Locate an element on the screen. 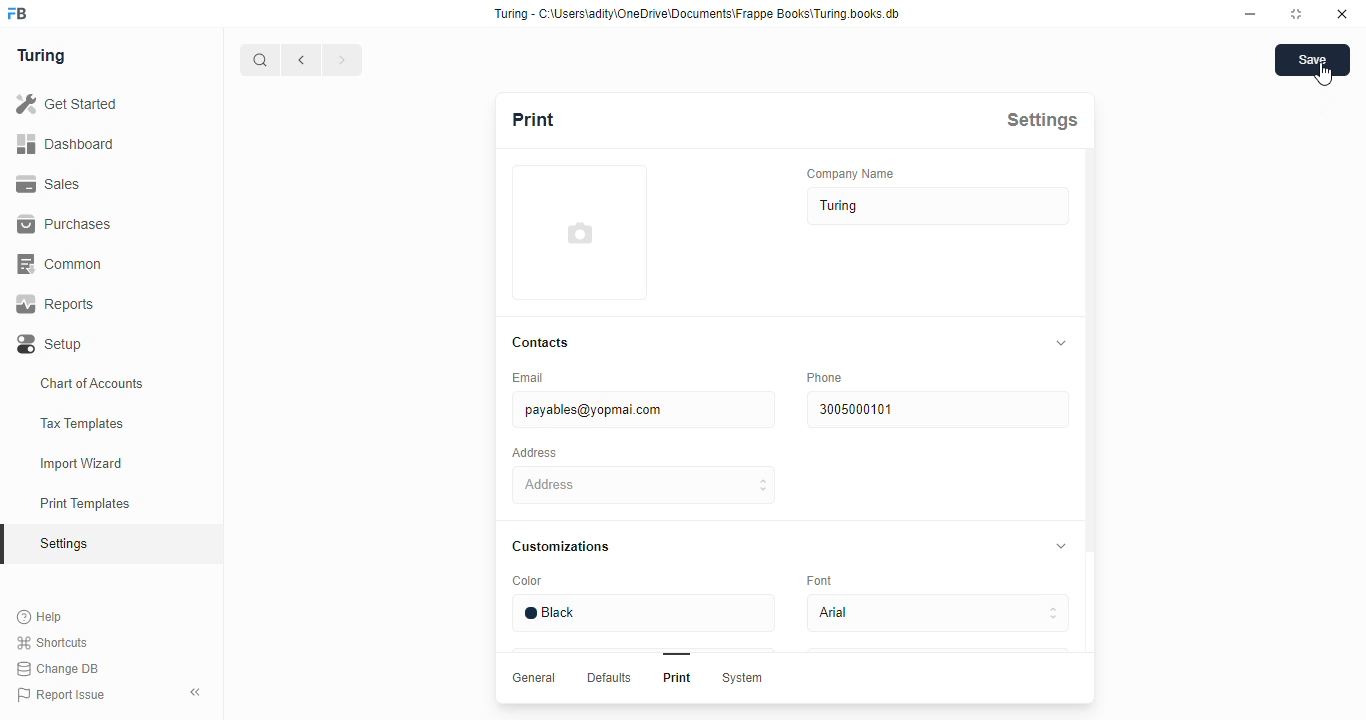 This screenshot has height=720, width=1366. add profile image is located at coordinates (585, 236).